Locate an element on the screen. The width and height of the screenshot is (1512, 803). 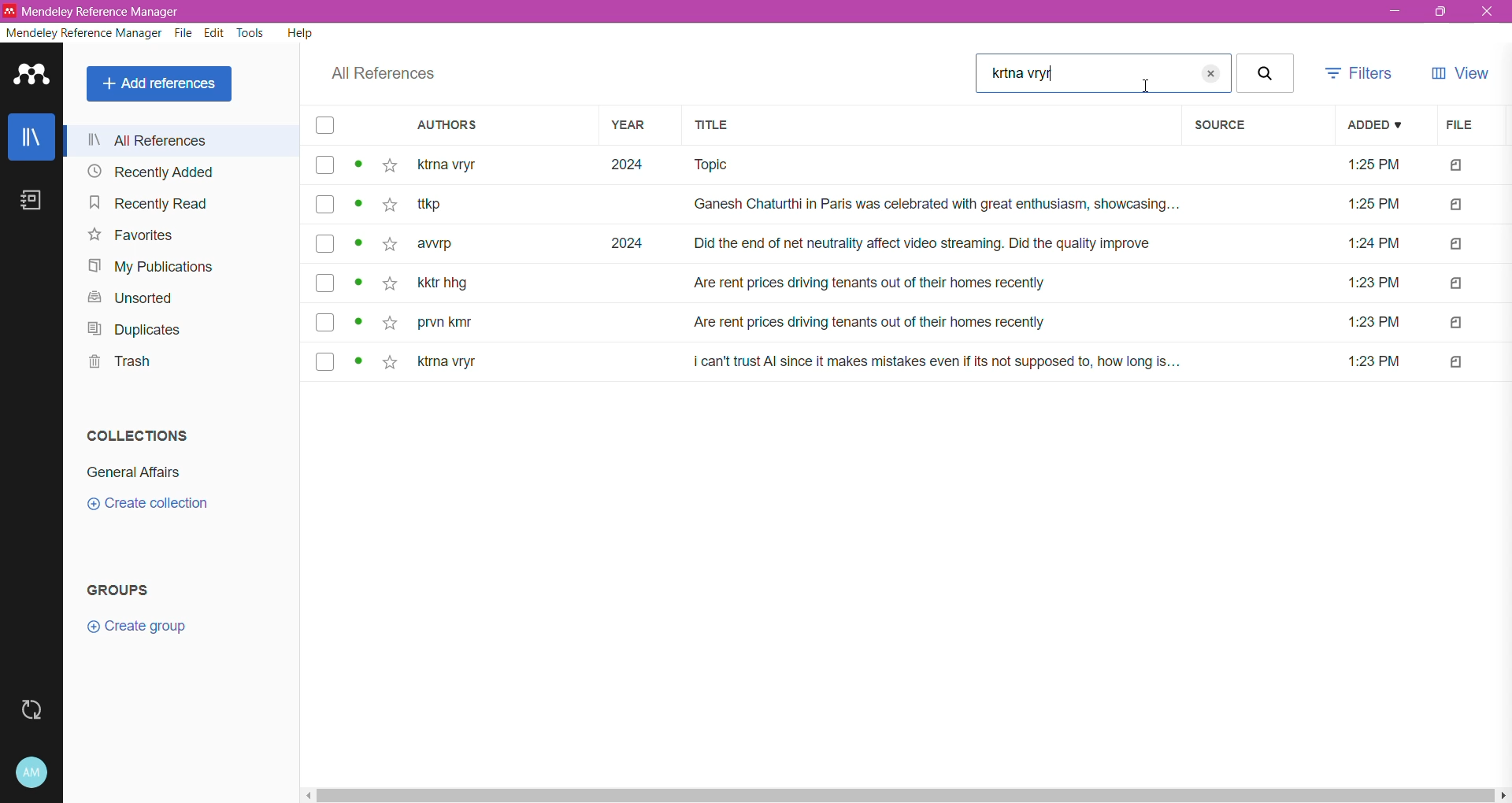
Click to Create Collection is located at coordinates (153, 505).